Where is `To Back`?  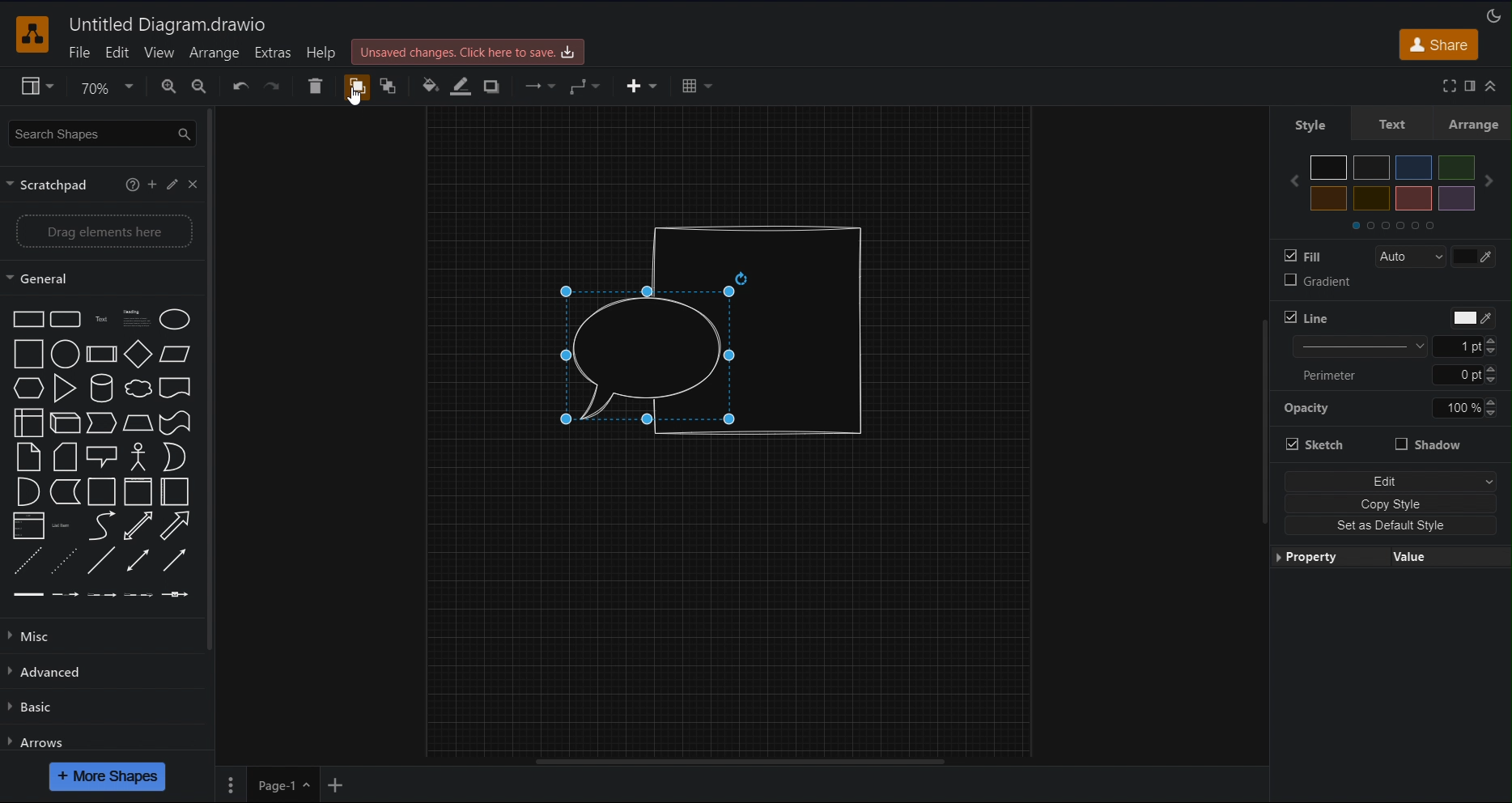 To Back is located at coordinates (391, 86).